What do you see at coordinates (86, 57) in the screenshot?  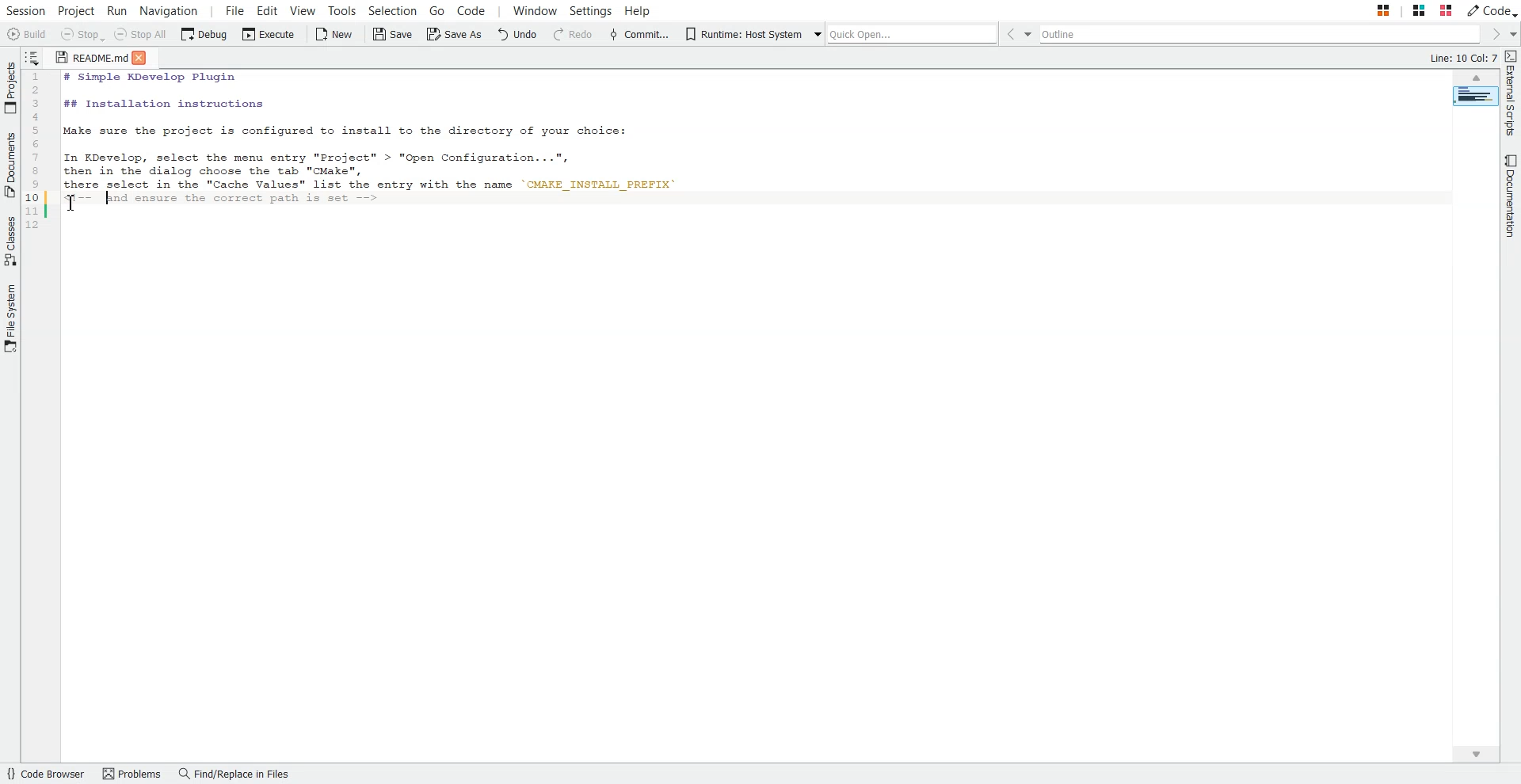 I see `README.md (file)` at bounding box center [86, 57].